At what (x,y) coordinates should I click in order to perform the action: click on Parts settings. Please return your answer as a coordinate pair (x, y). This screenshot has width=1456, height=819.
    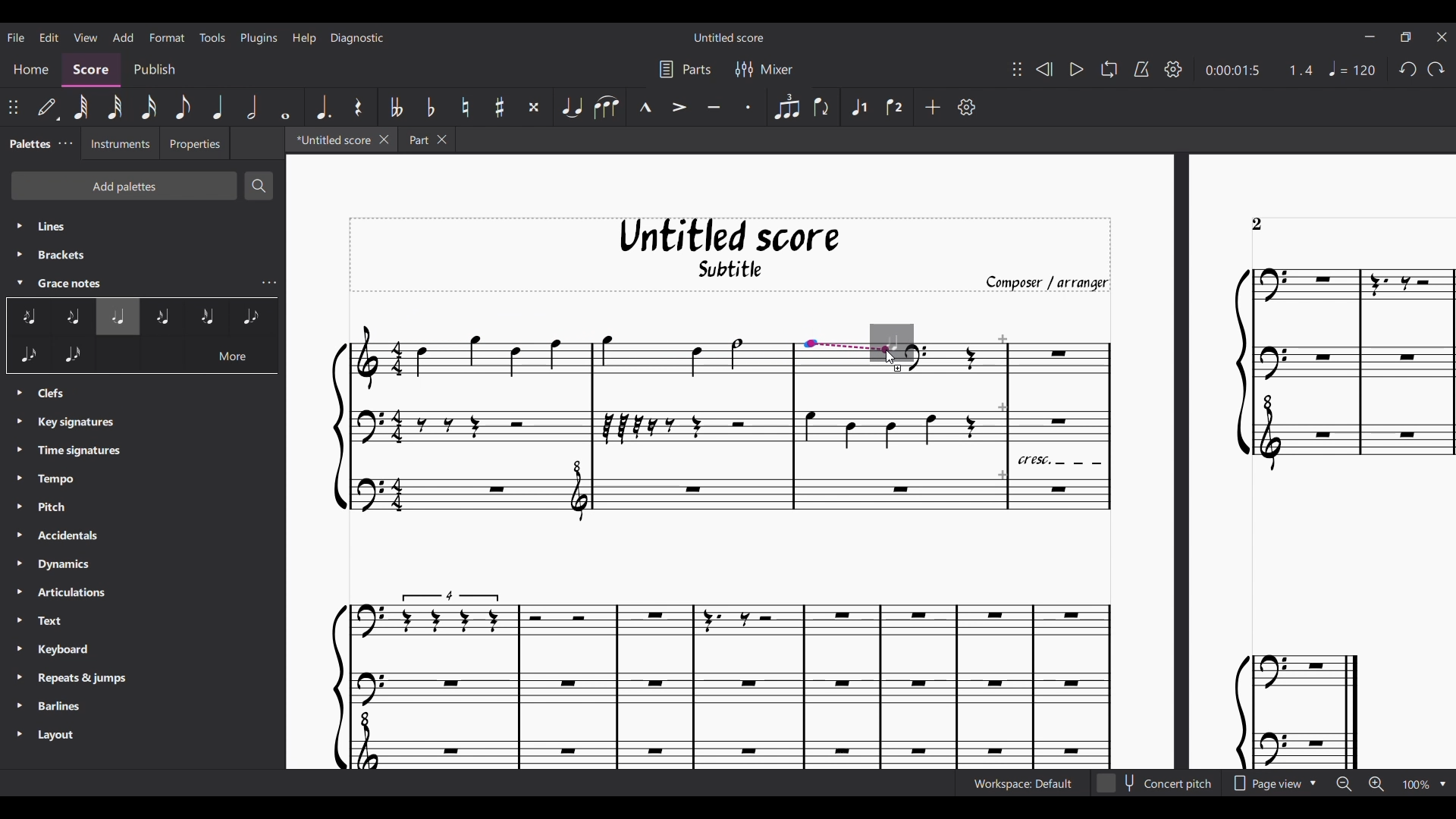
    Looking at the image, I should click on (685, 70).